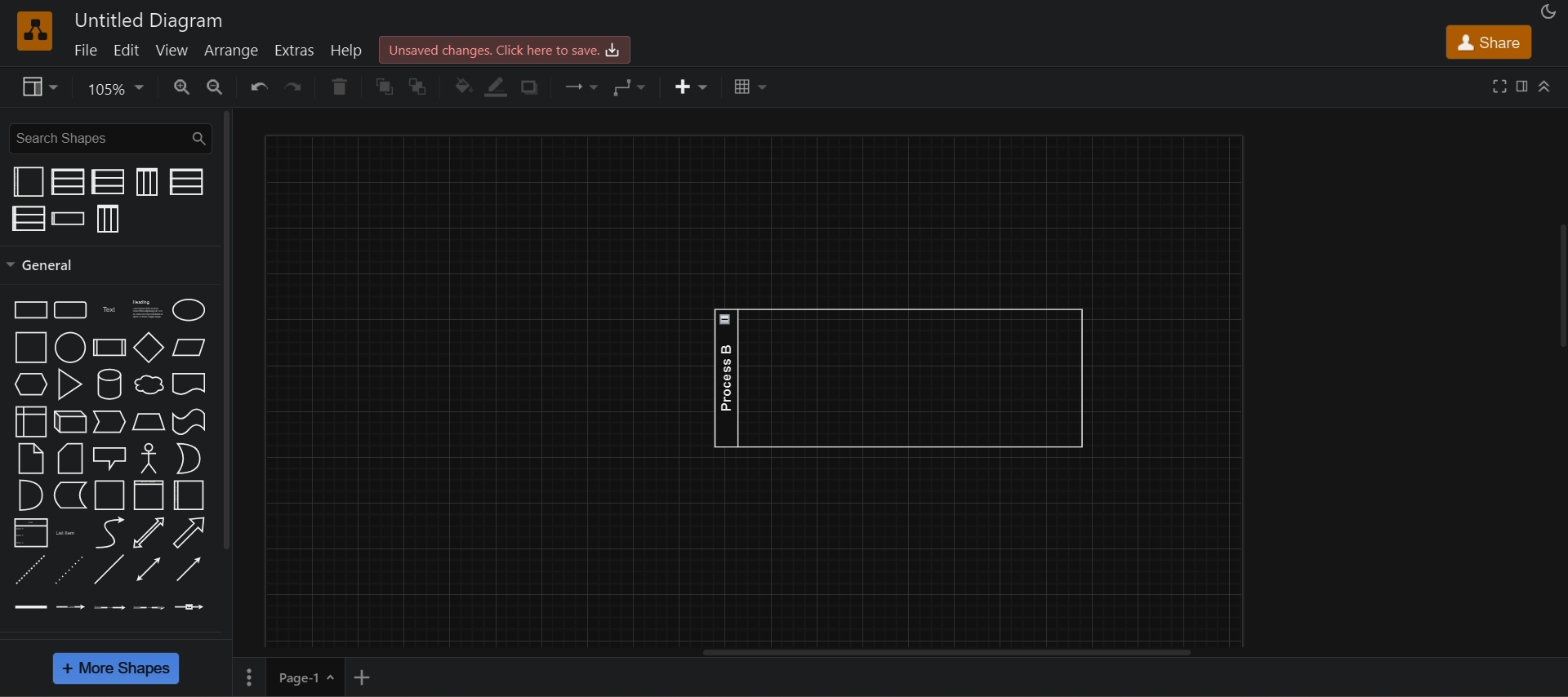 The height and width of the screenshot is (697, 1568). Describe the element at coordinates (69, 496) in the screenshot. I see `data storage` at that location.